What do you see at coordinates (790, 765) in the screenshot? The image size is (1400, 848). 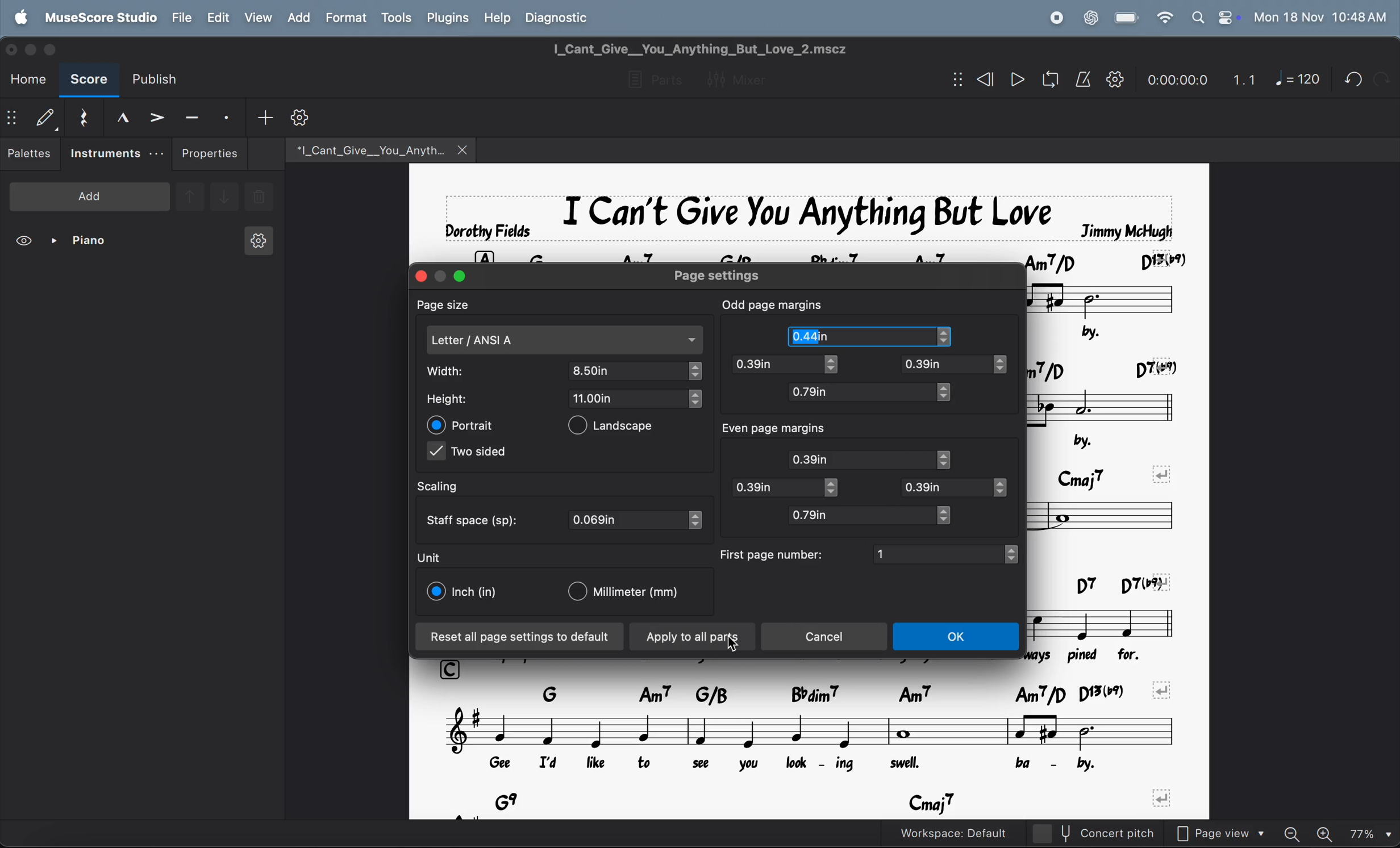 I see `lyrics` at bounding box center [790, 765].